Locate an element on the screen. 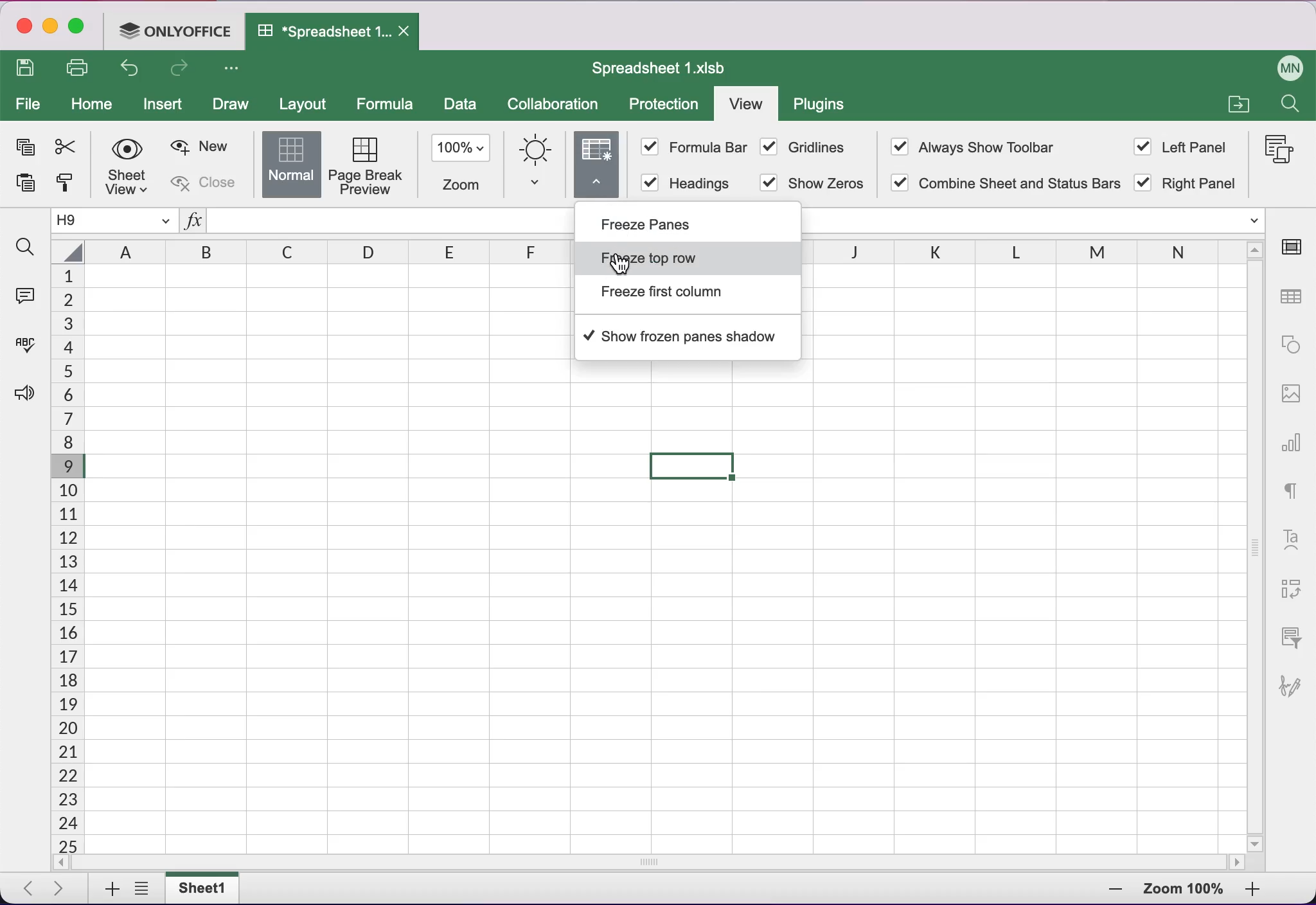 Image resolution: width=1316 pixels, height=905 pixels. show frozen shadow is located at coordinates (684, 336).